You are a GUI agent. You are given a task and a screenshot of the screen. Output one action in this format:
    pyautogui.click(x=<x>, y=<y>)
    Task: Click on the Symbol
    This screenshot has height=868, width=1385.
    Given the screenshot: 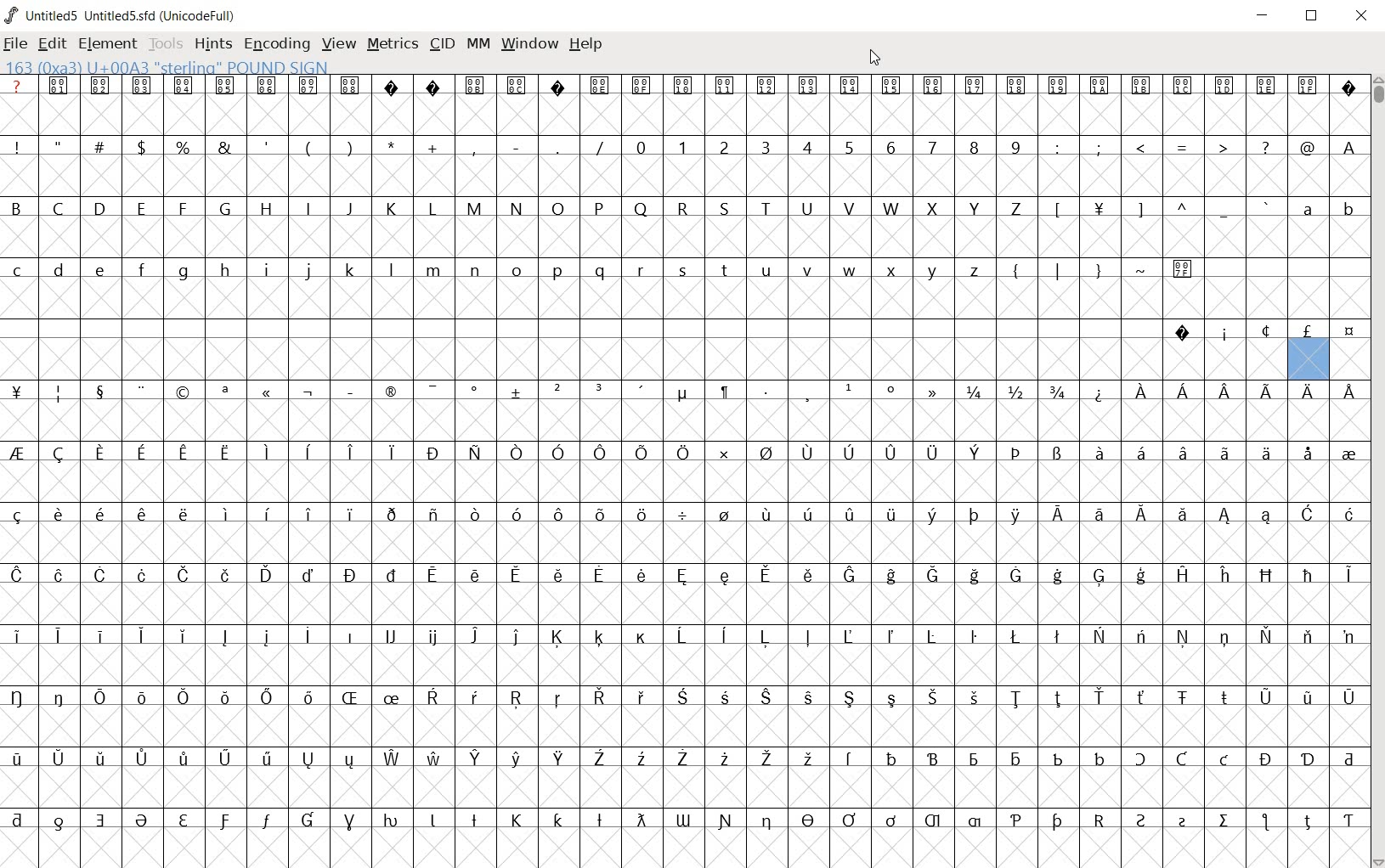 What is the action you would take?
    pyautogui.click(x=890, y=636)
    